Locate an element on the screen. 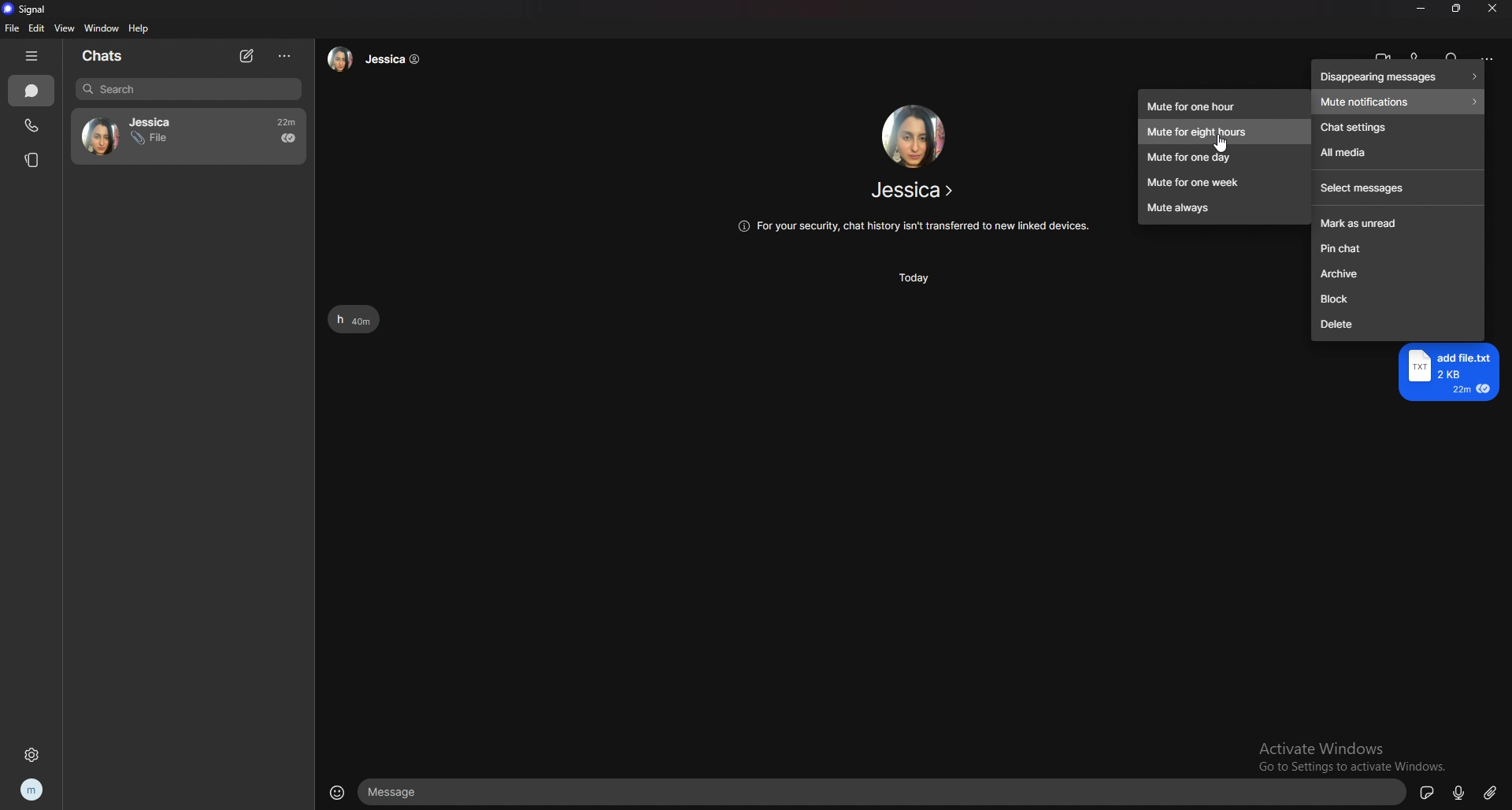  settings is located at coordinates (31, 755).